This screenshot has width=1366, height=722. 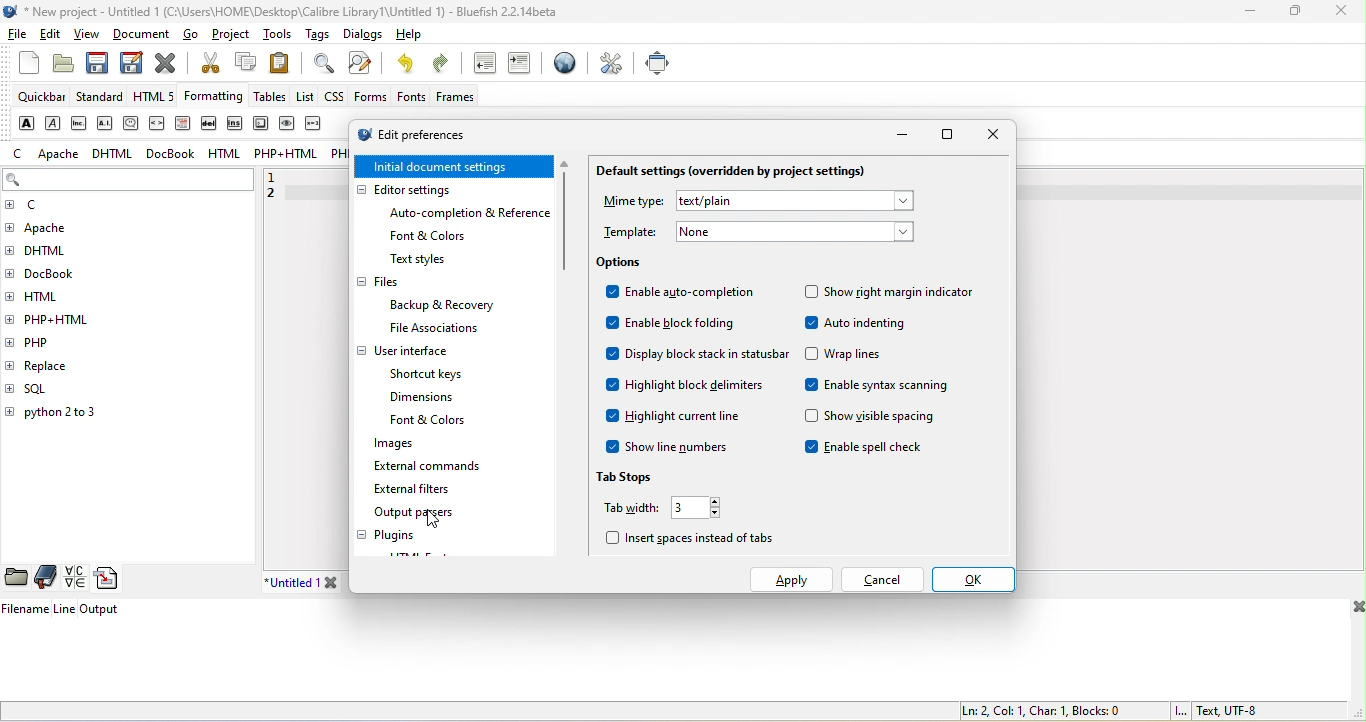 What do you see at coordinates (20, 70) in the screenshot?
I see `new` at bounding box center [20, 70].